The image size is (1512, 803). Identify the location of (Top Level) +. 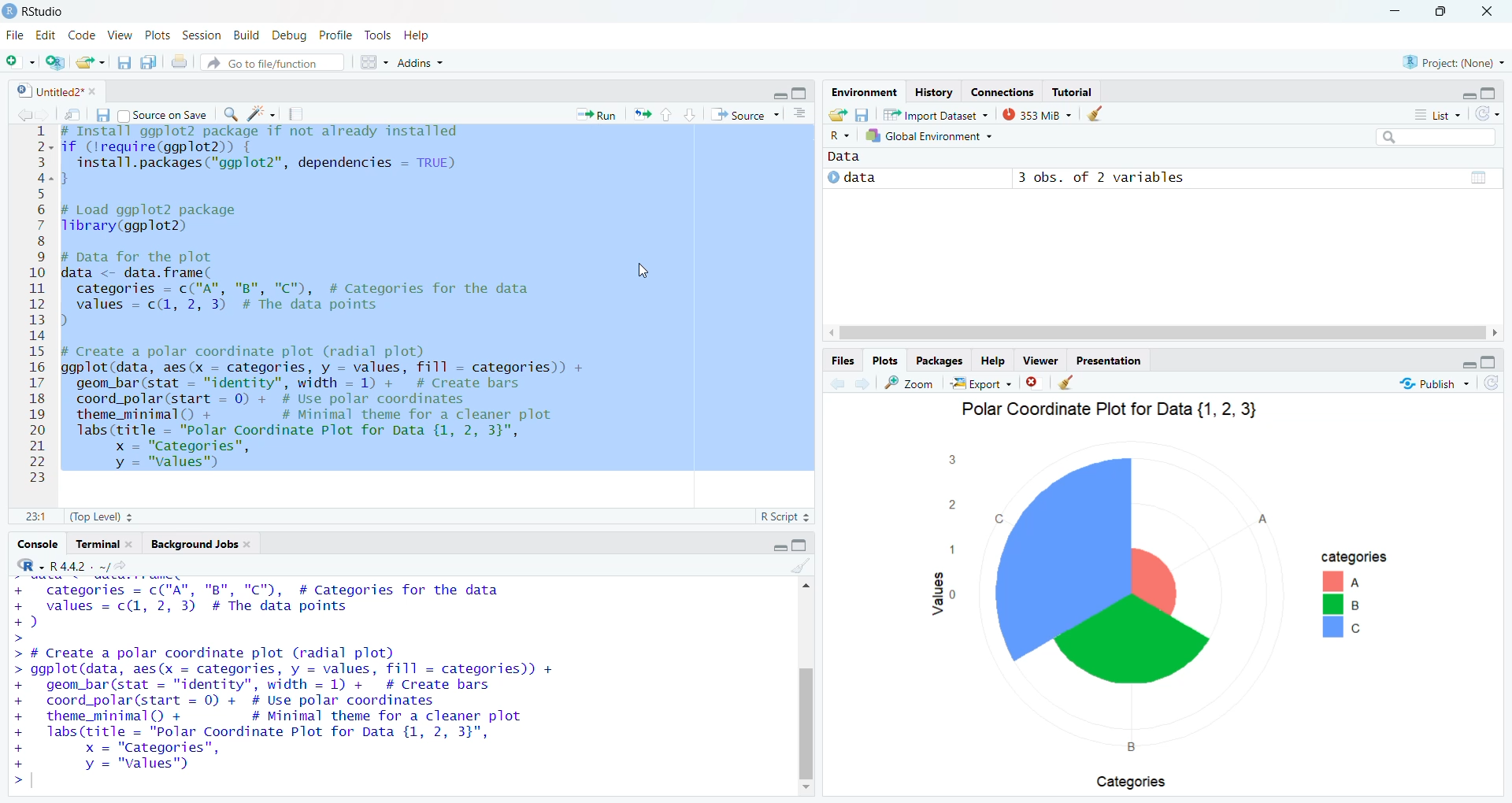
(103, 518).